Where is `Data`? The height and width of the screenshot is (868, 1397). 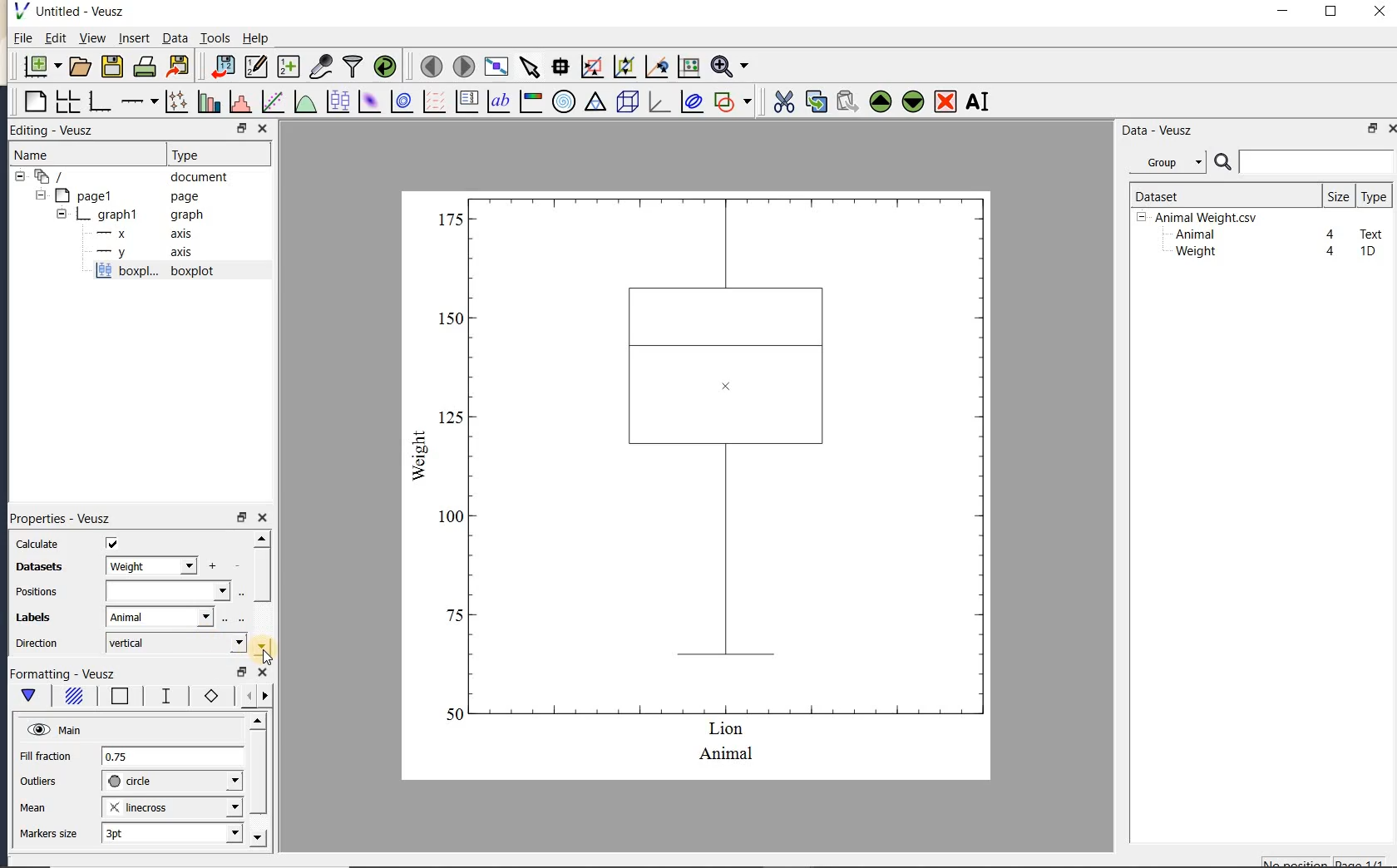
Data is located at coordinates (175, 37).